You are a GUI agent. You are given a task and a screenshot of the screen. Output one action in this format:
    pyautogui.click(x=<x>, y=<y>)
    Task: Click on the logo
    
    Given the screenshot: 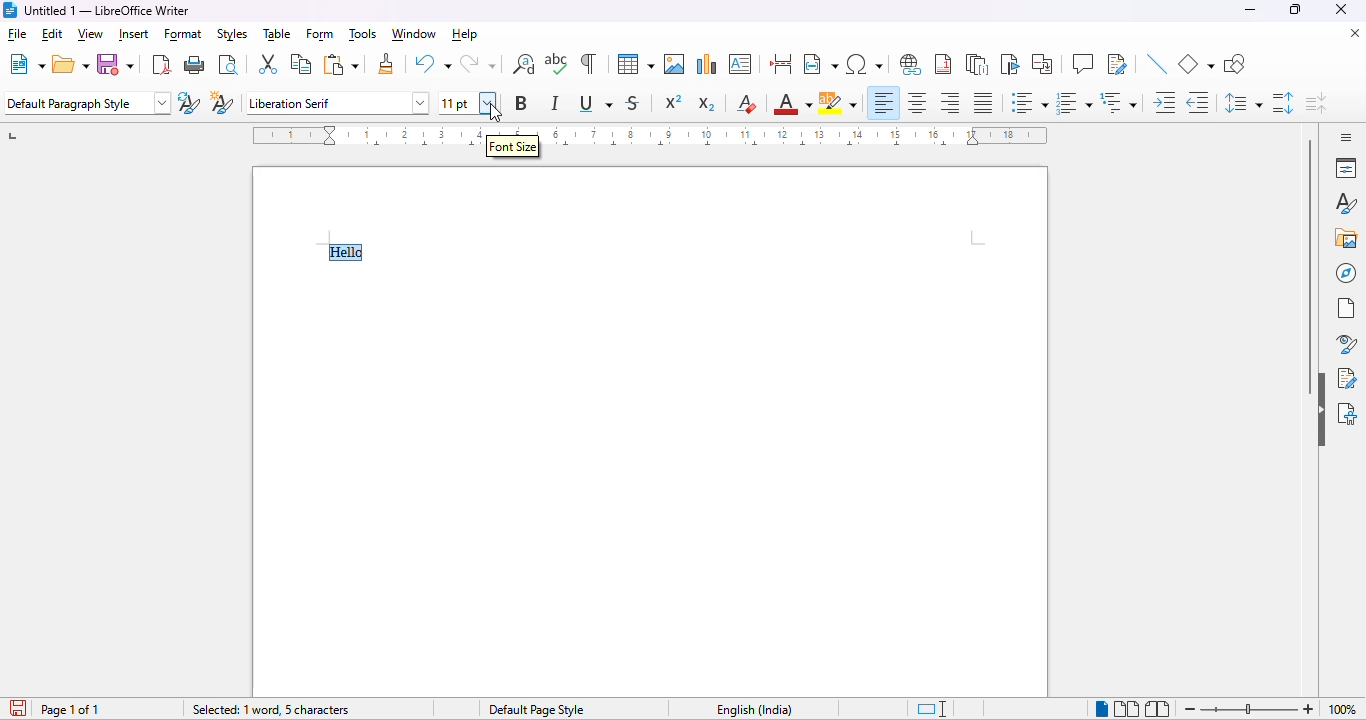 What is the action you would take?
    pyautogui.click(x=9, y=10)
    